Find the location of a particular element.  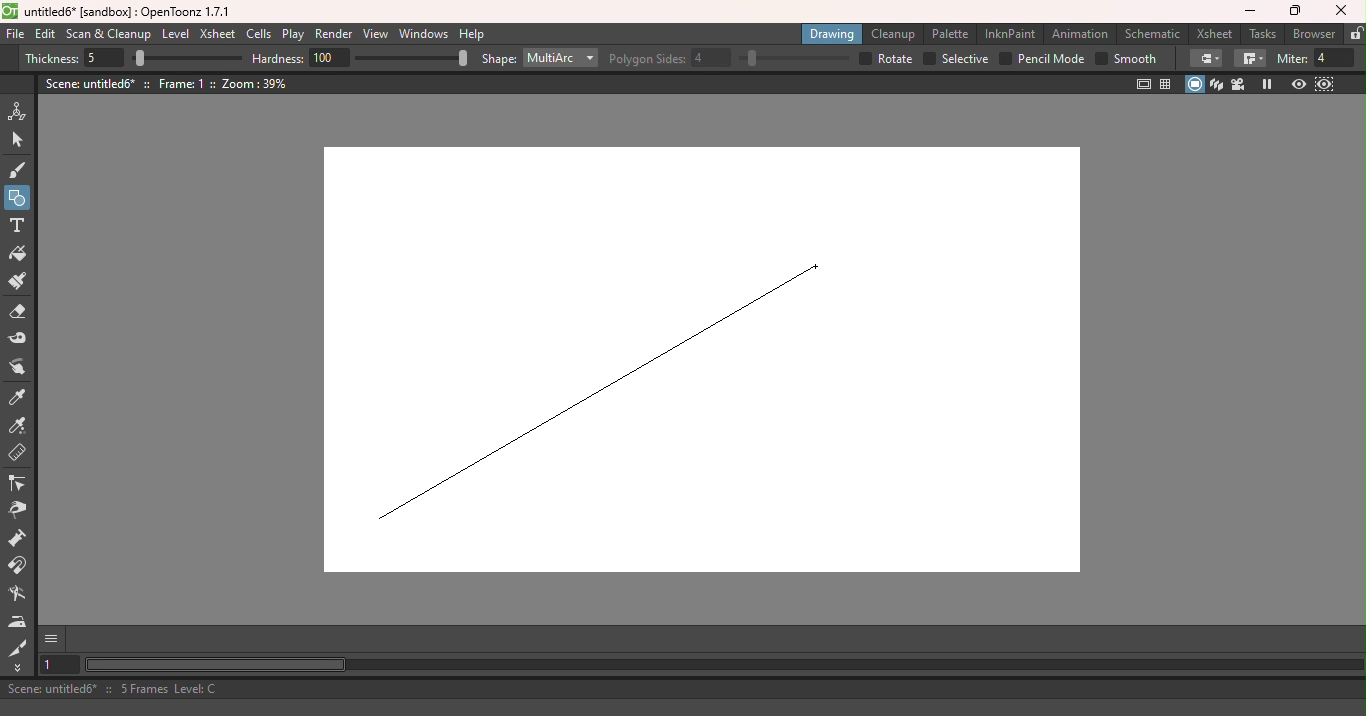

GUI Show/hide is located at coordinates (53, 639).